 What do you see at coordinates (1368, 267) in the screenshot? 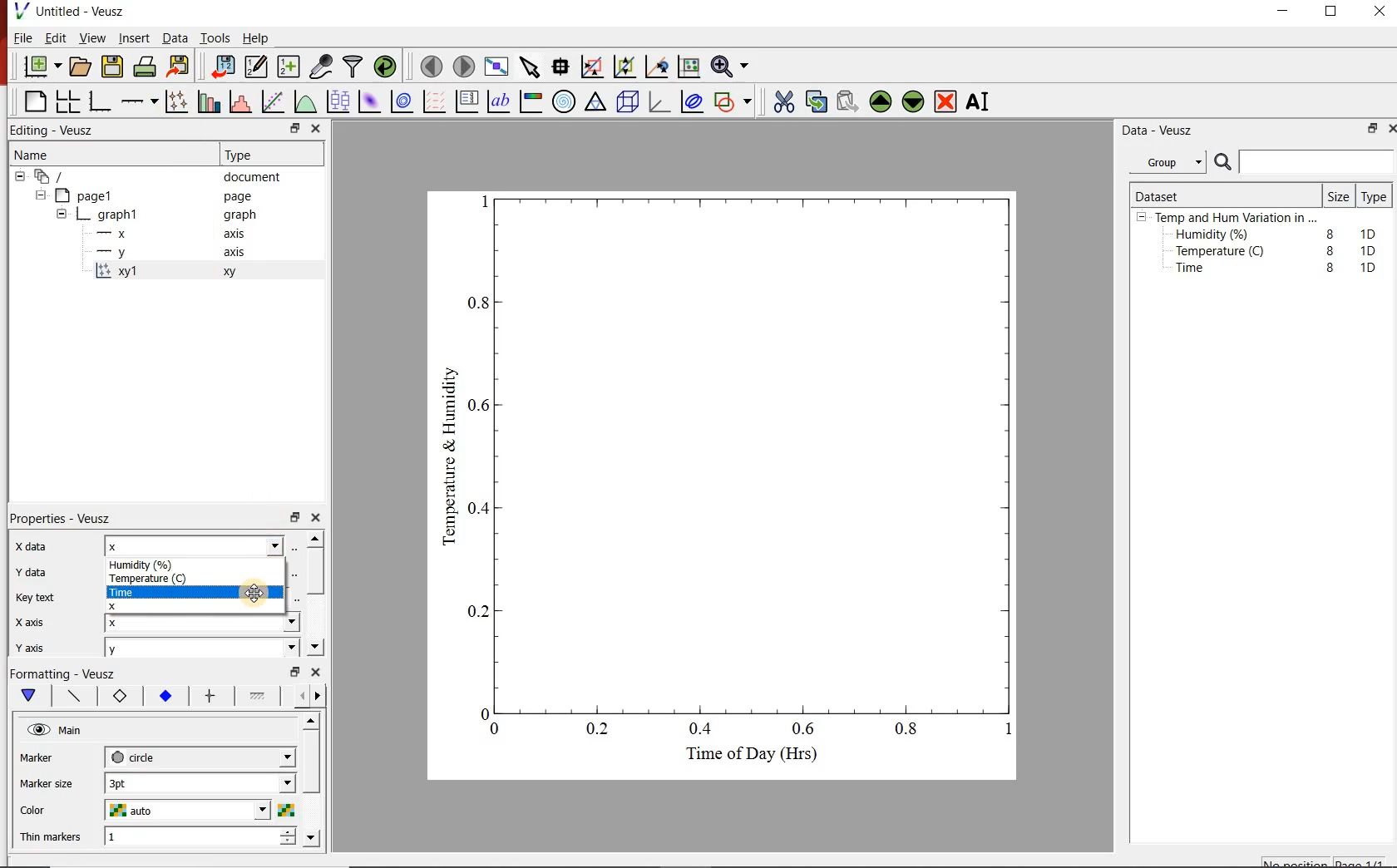
I see `1D` at bounding box center [1368, 267].